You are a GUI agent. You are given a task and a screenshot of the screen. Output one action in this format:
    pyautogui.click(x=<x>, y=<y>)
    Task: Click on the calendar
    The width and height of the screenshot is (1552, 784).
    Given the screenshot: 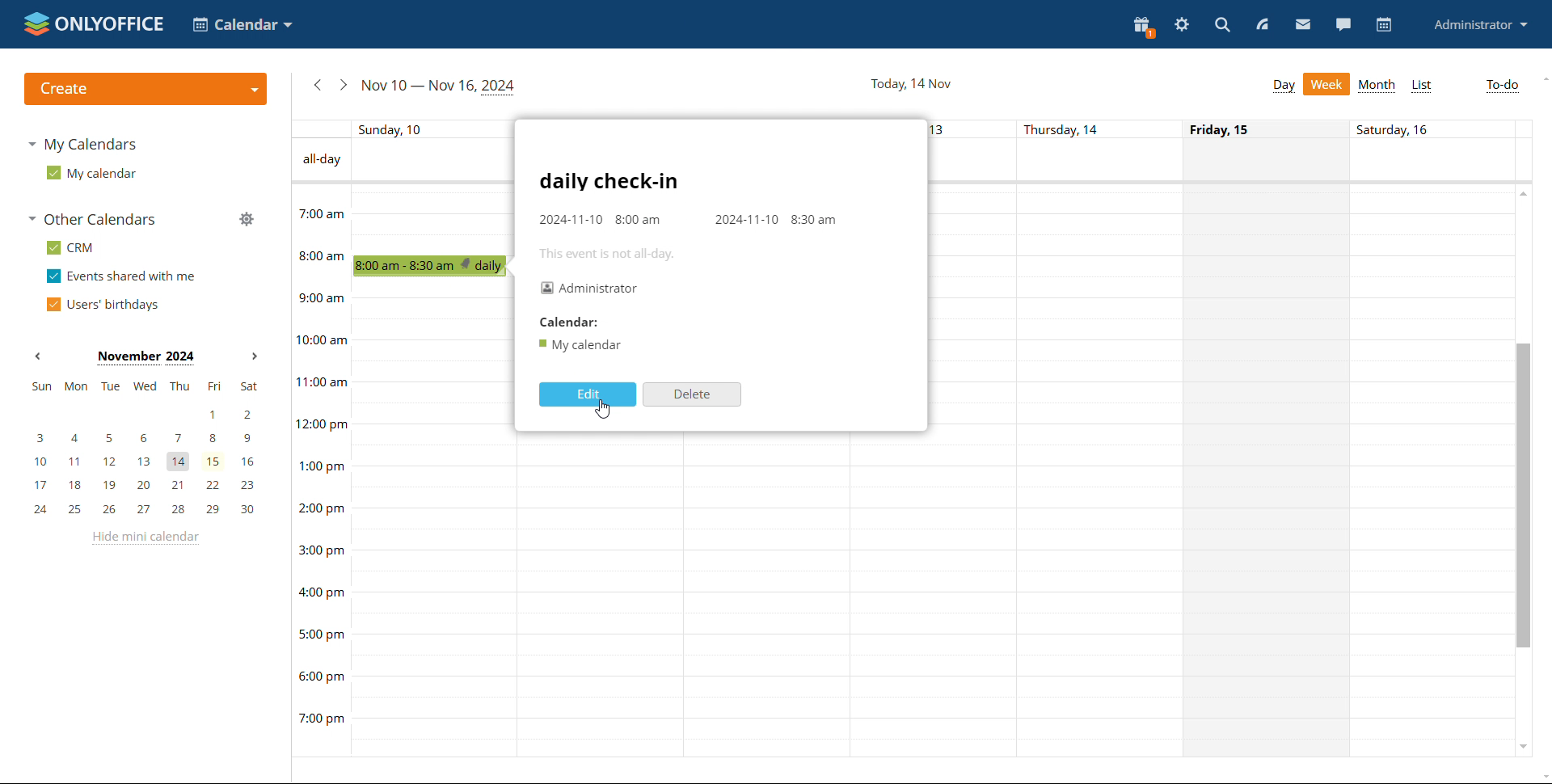 What is the action you would take?
    pyautogui.click(x=1382, y=25)
    